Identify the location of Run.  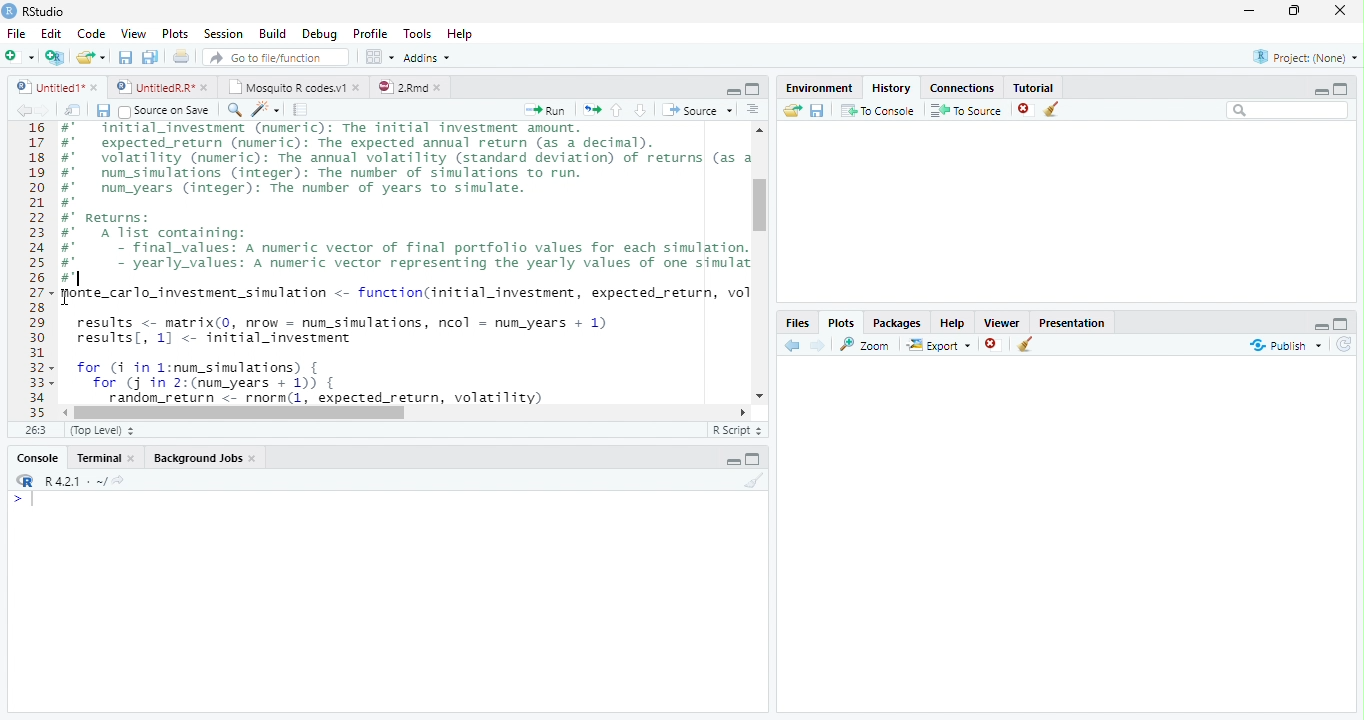
(546, 110).